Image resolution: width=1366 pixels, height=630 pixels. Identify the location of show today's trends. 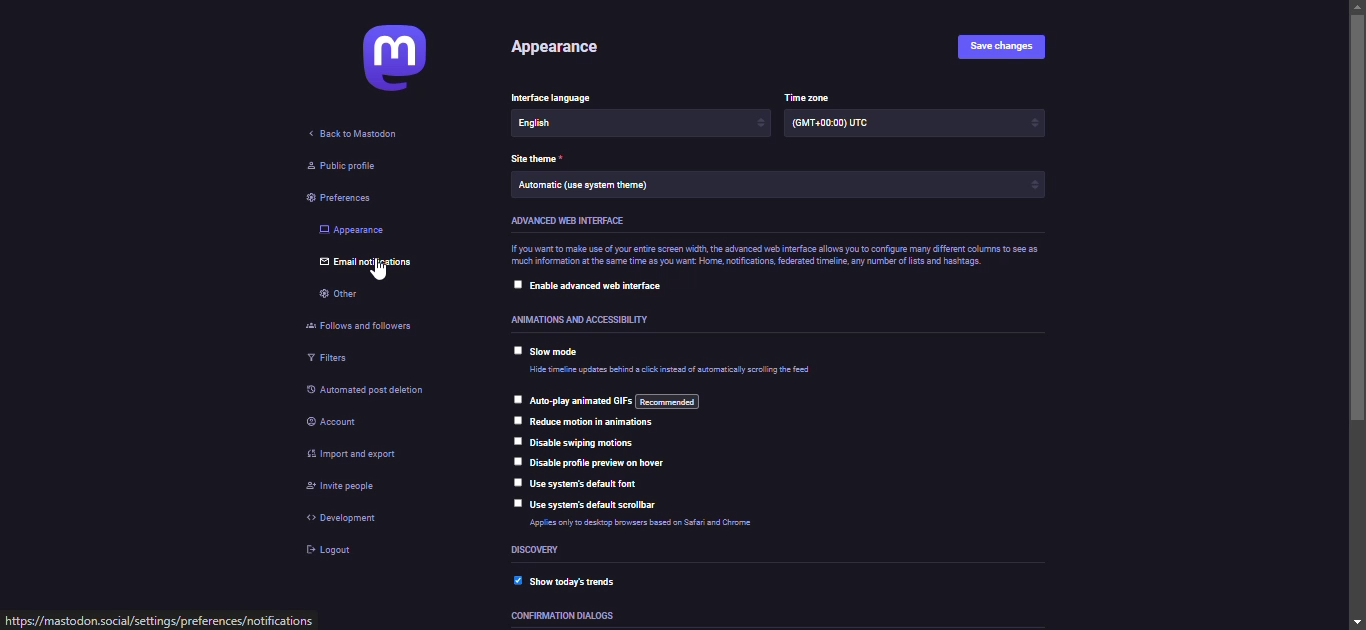
(584, 582).